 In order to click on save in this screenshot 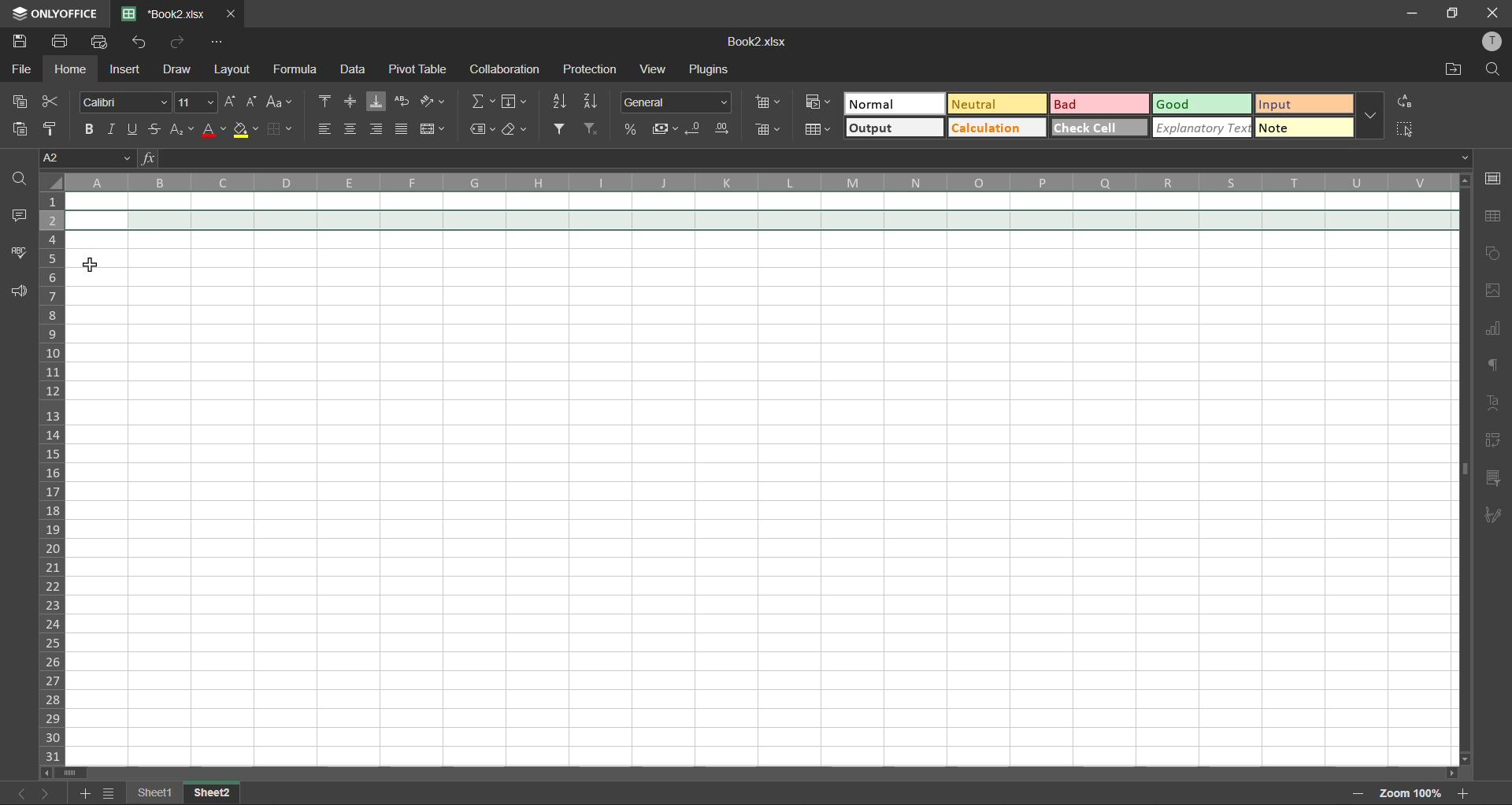, I will do `click(21, 39)`.